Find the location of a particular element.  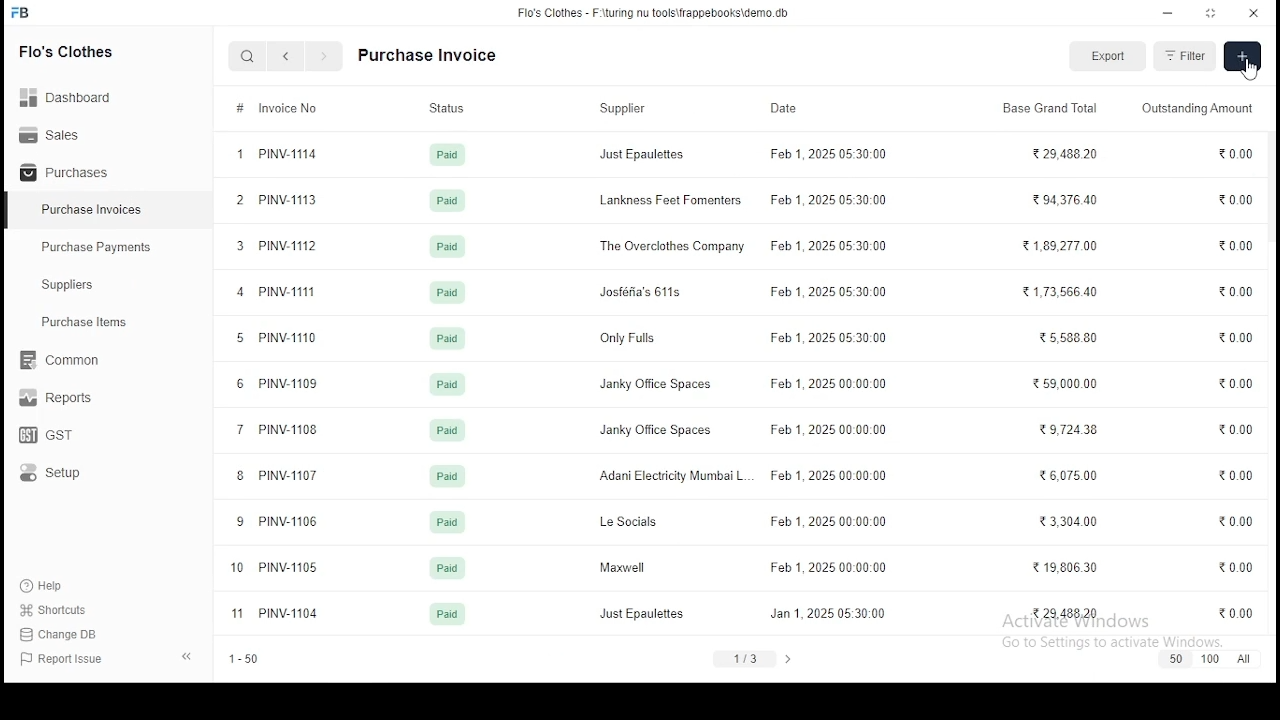

PINV-1111 is located at coordinates (286, 291).